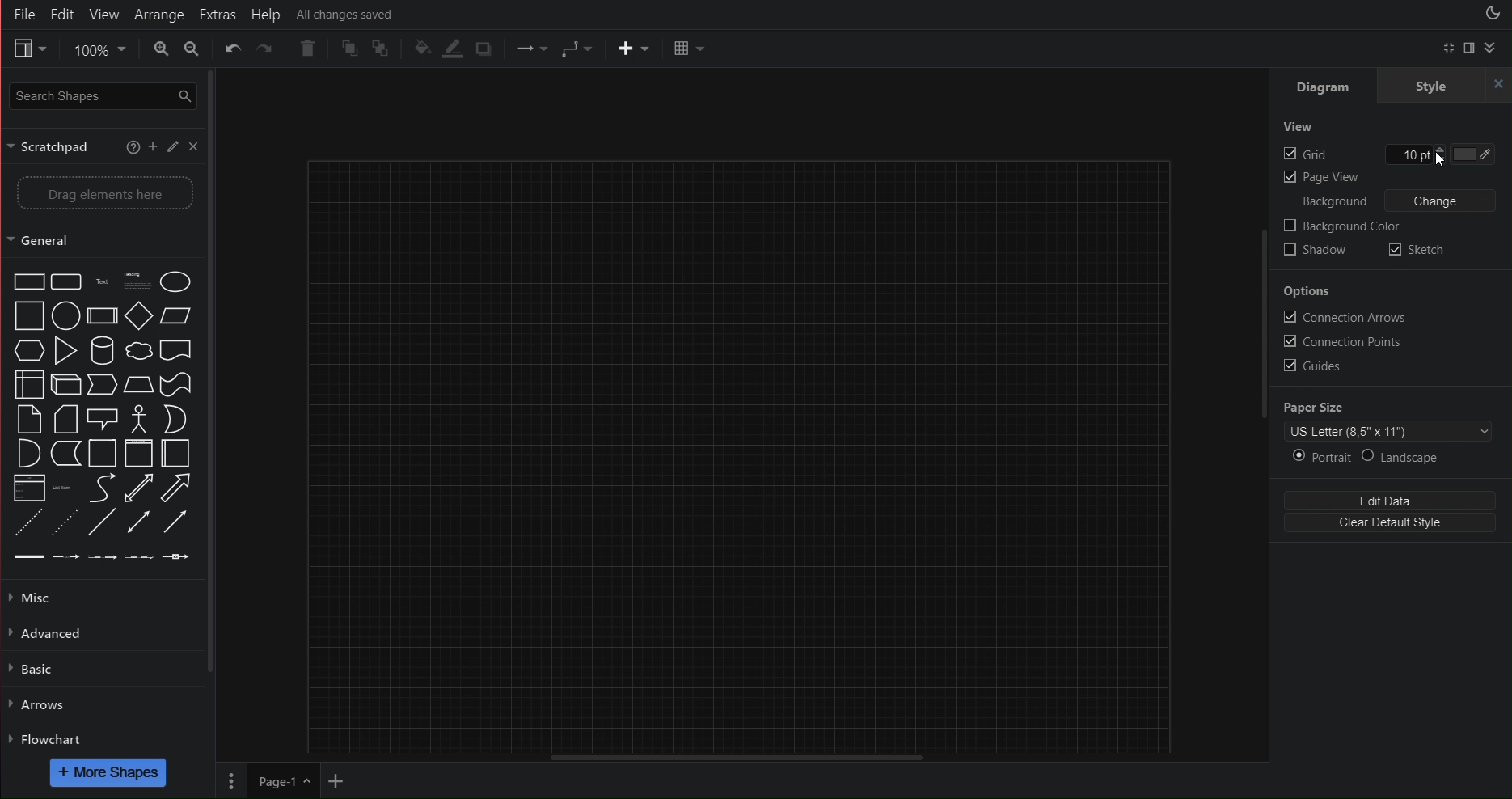 This screenshot has width=1512, height=799. I want to click on Add new page, so click(340, 780).